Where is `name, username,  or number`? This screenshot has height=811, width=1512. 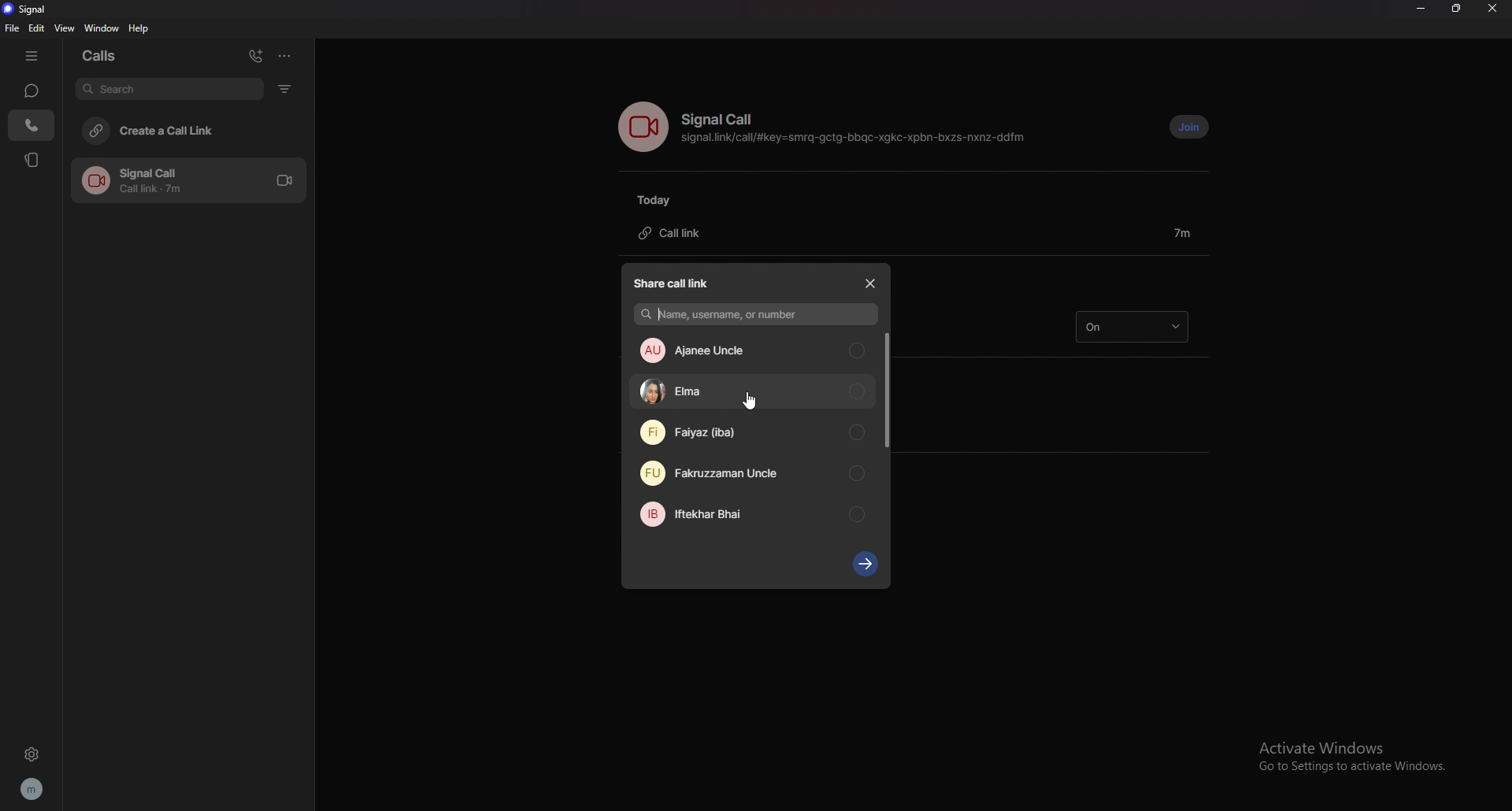
name, username,  or number is located at coordinates (757, 315).